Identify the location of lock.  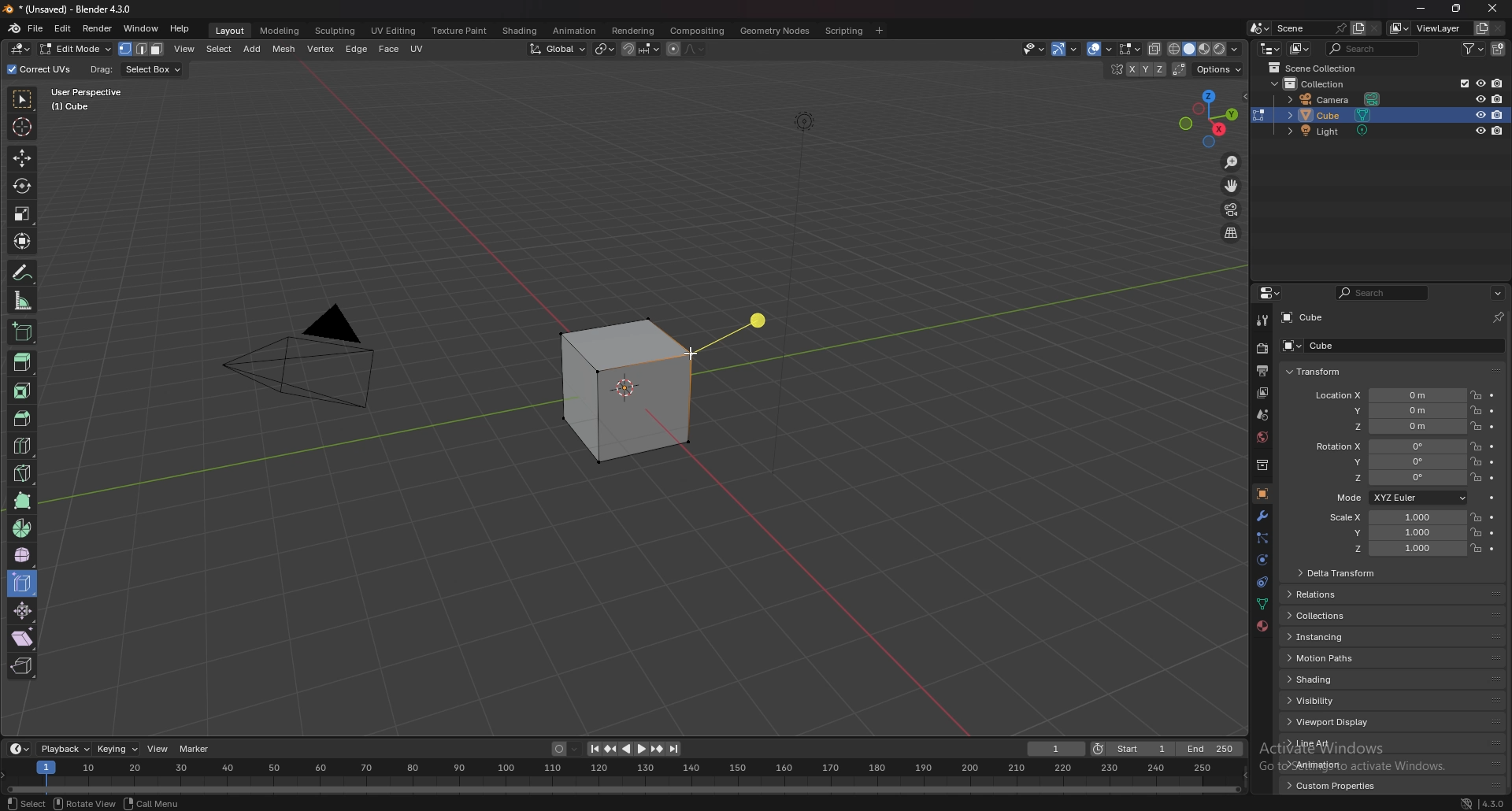
(1476, 531).